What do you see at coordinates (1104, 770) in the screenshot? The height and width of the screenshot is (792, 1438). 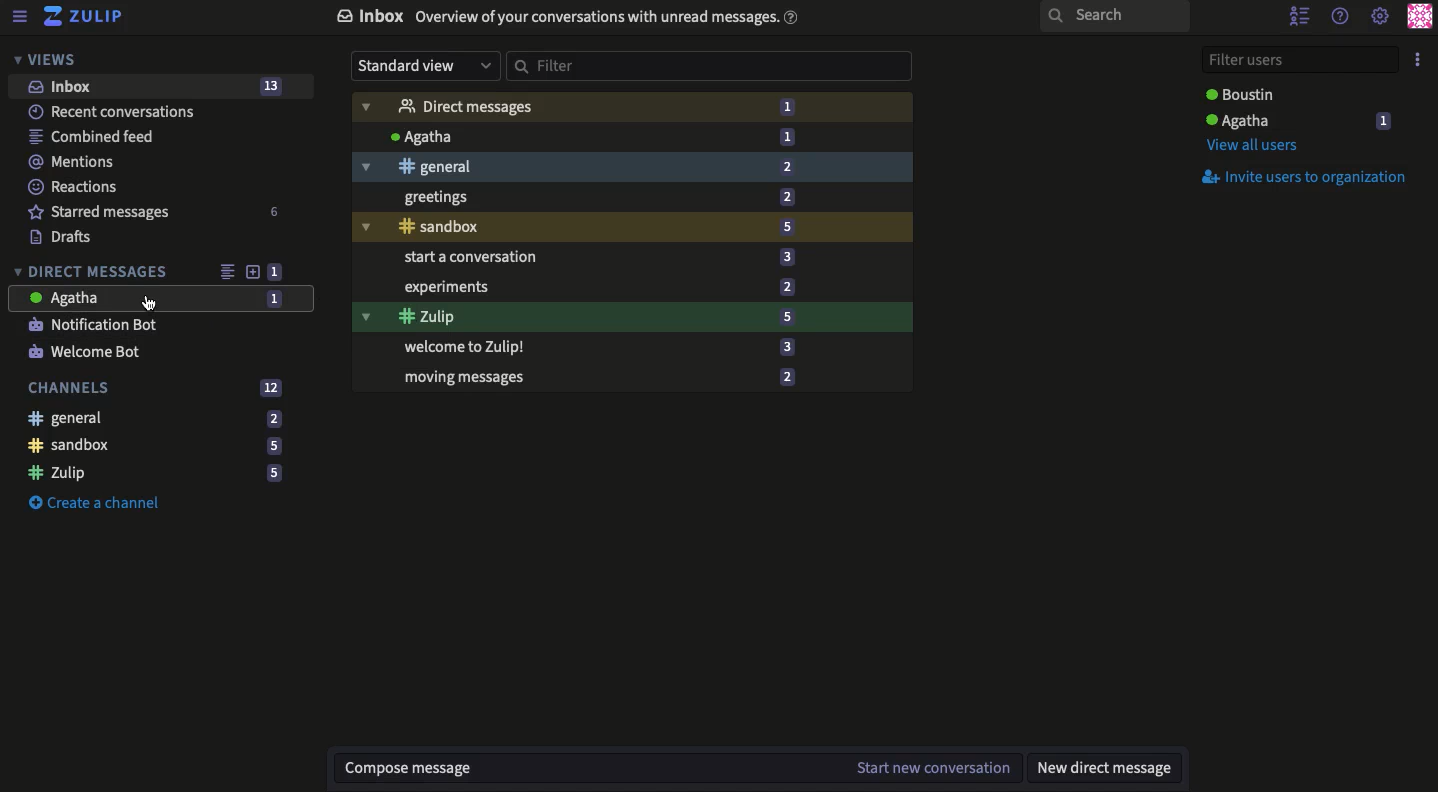 I see `New direct message` at bounding box center [1104, 770].